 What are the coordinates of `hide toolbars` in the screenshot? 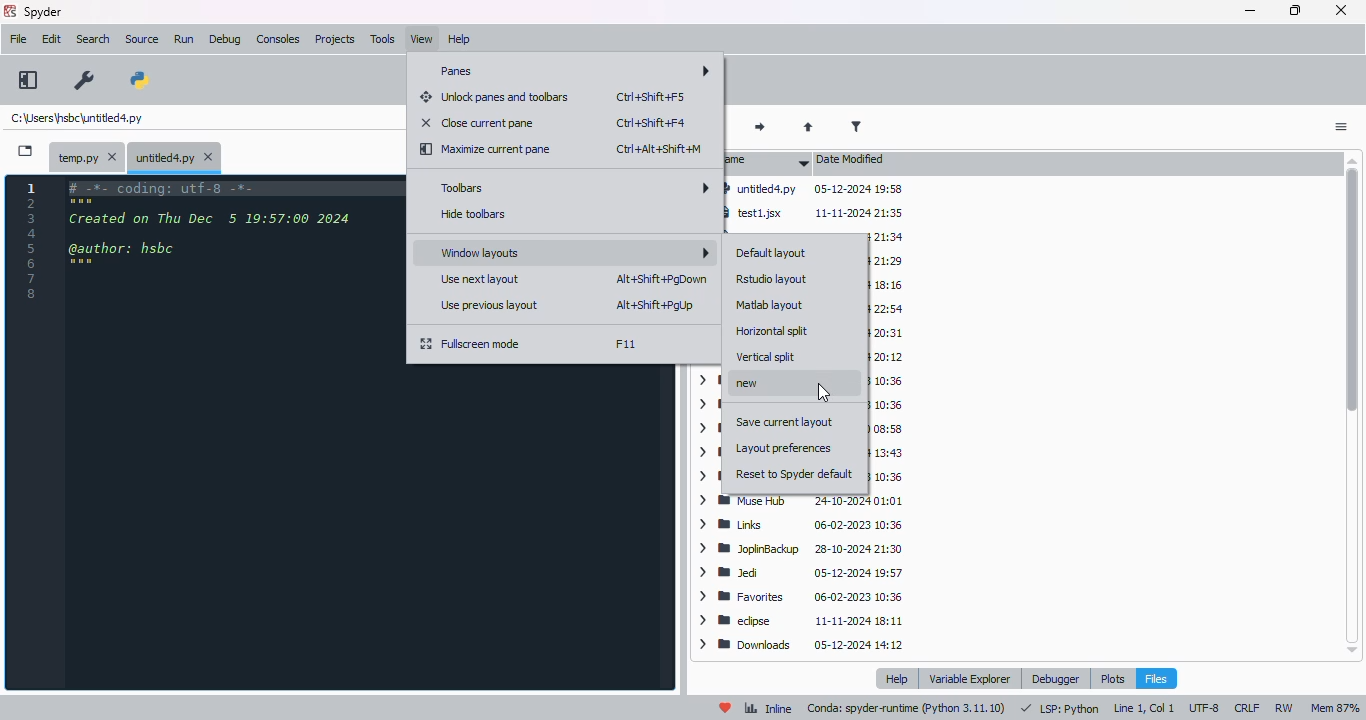 It's located at (475, 214).